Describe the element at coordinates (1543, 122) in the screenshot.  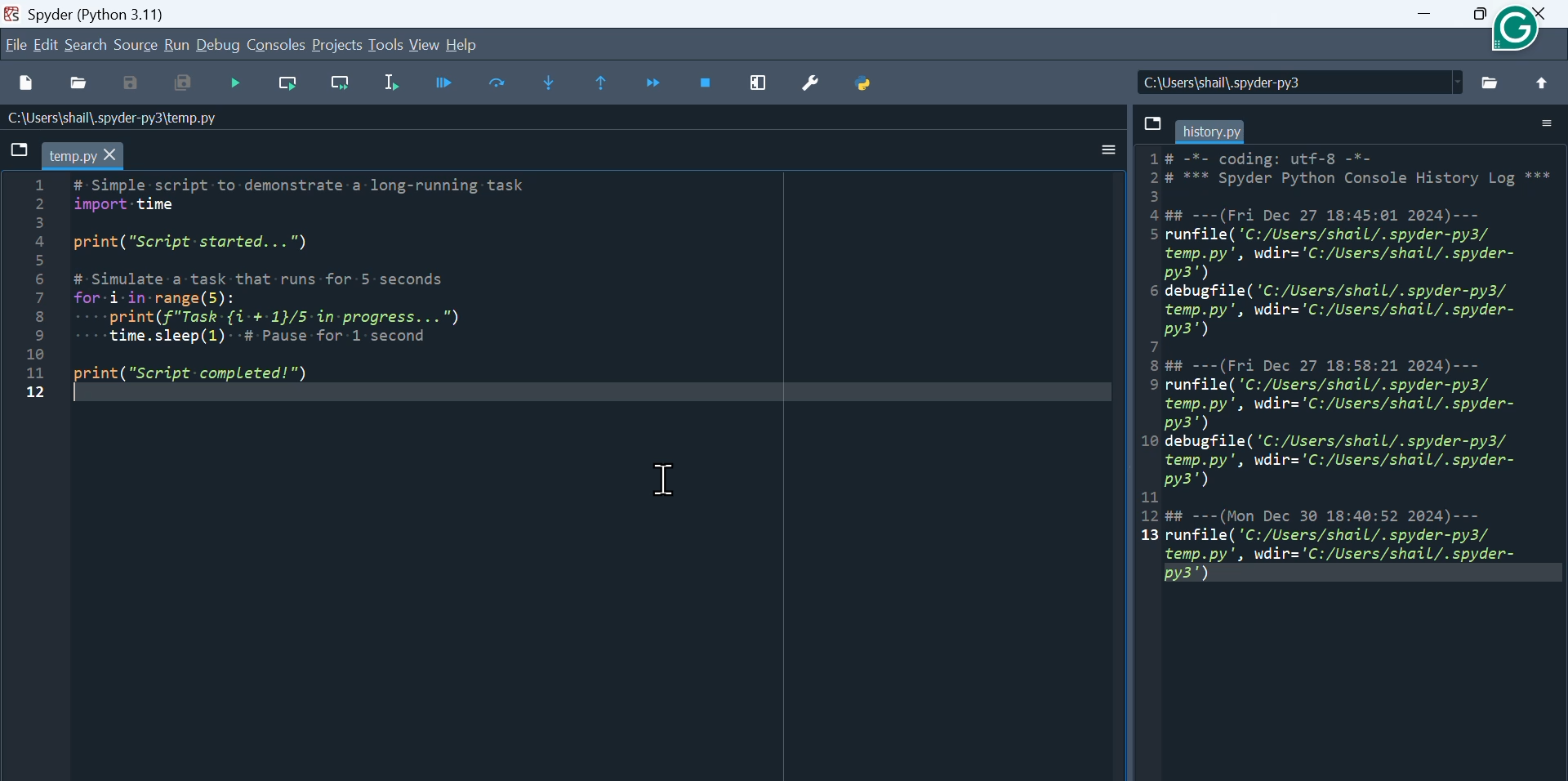
I see `folder` at that location.